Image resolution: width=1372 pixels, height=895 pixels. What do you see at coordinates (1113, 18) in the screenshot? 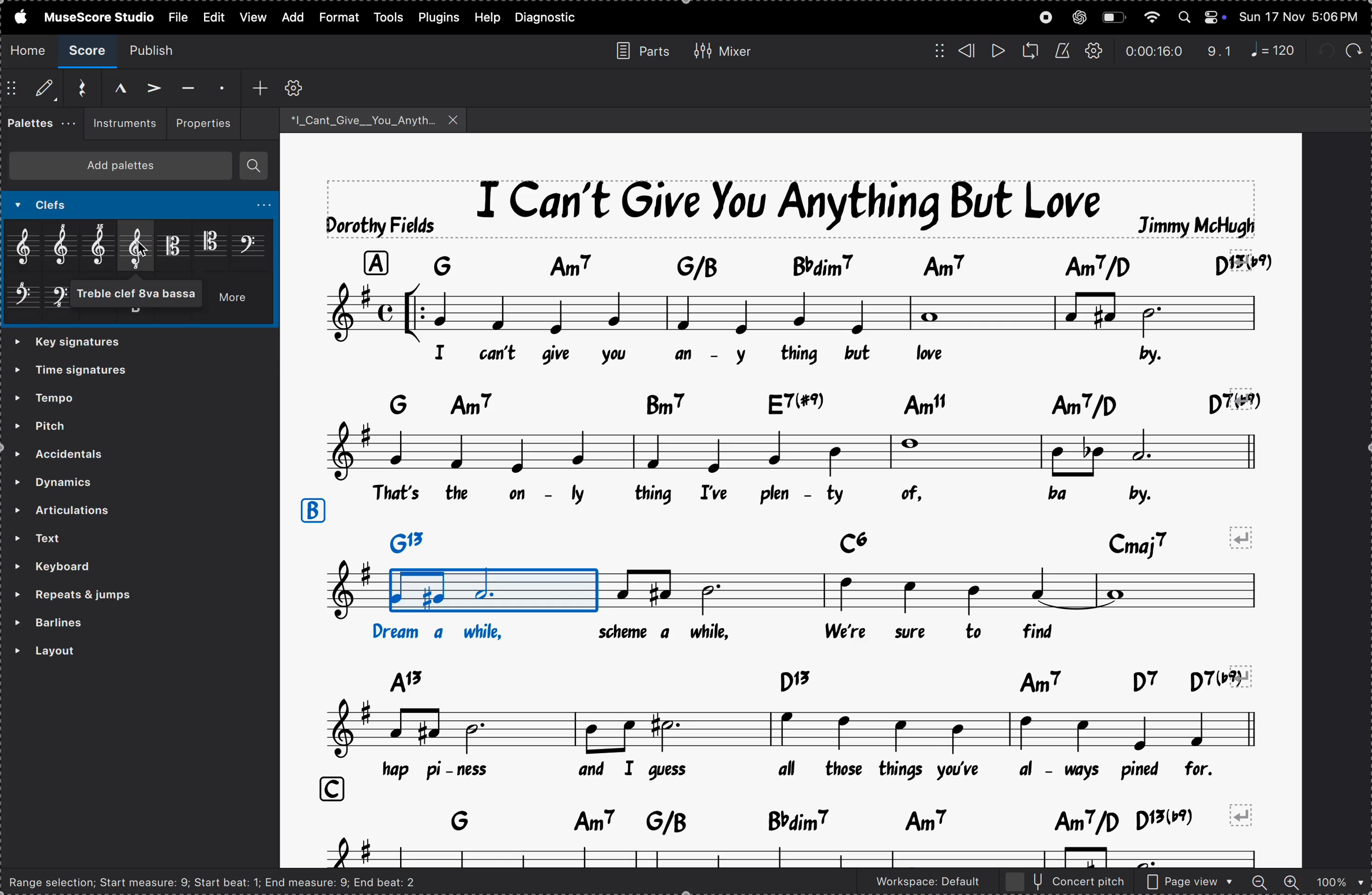
I see `battery` at bounding box center [1113, 18].